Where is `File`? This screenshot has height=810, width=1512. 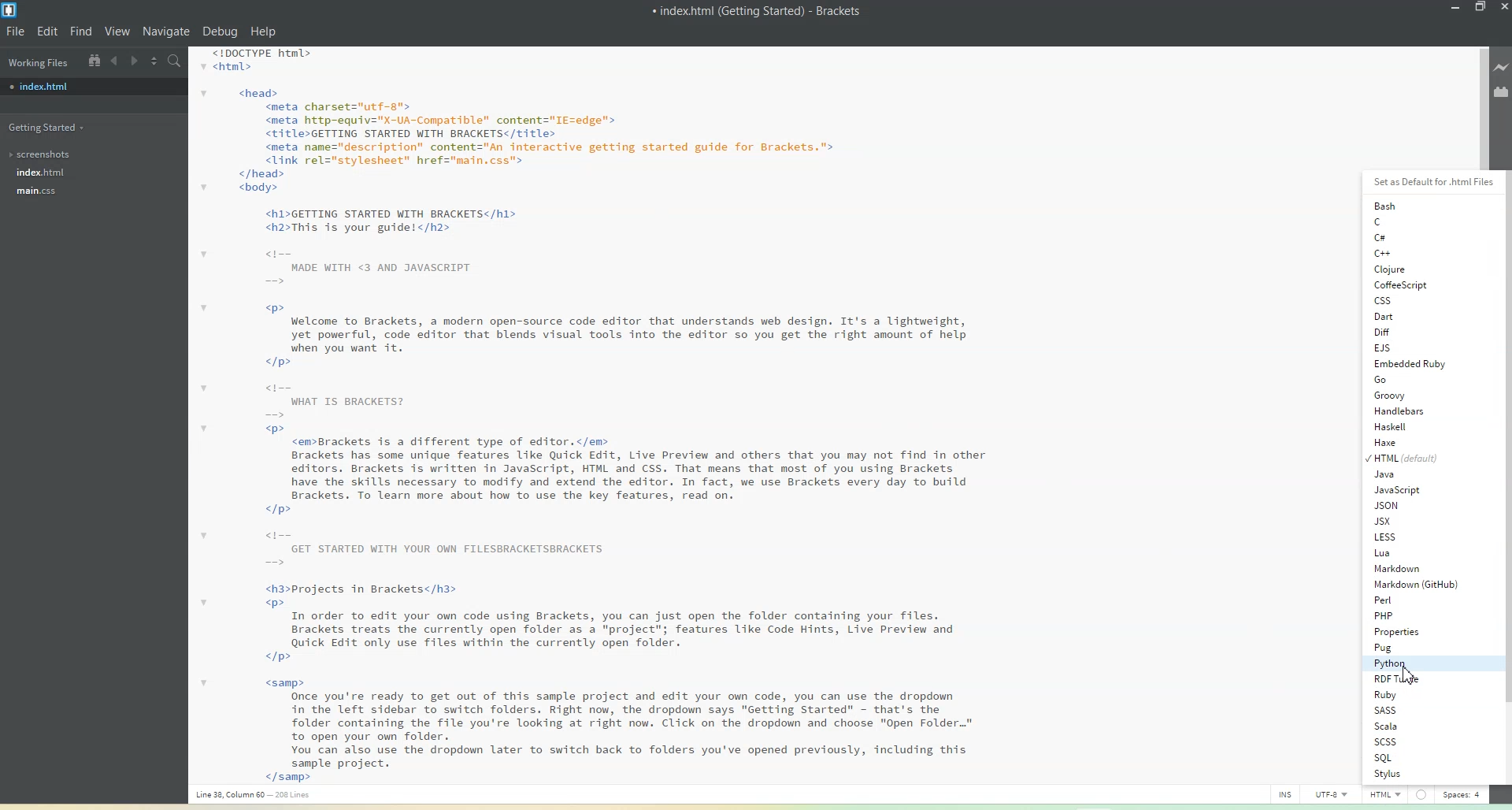
File is located at coordinates (15, 31).